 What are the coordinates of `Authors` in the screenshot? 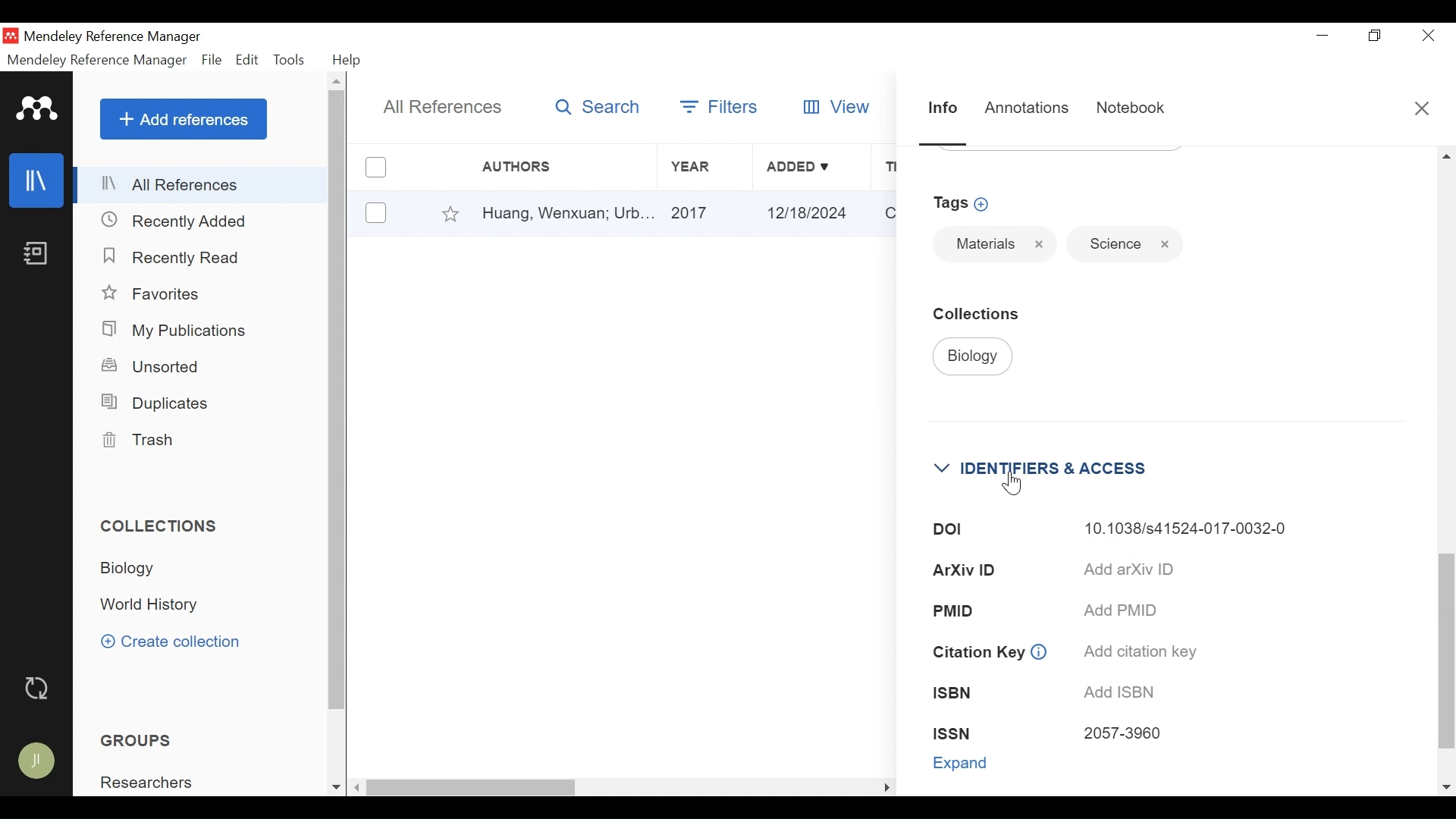 It's located at (532, 167).